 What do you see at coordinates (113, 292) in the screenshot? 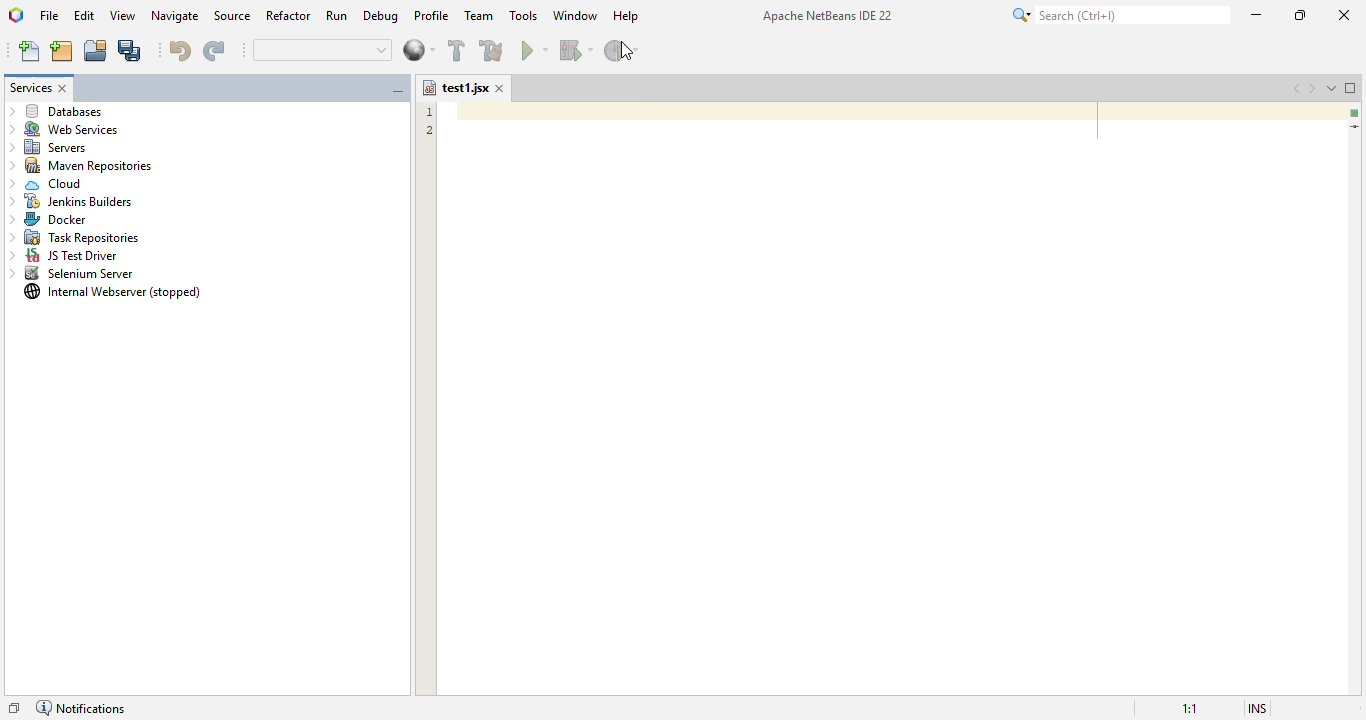
I see `internal webserver (stopped)` at bounding box center [113, 292].